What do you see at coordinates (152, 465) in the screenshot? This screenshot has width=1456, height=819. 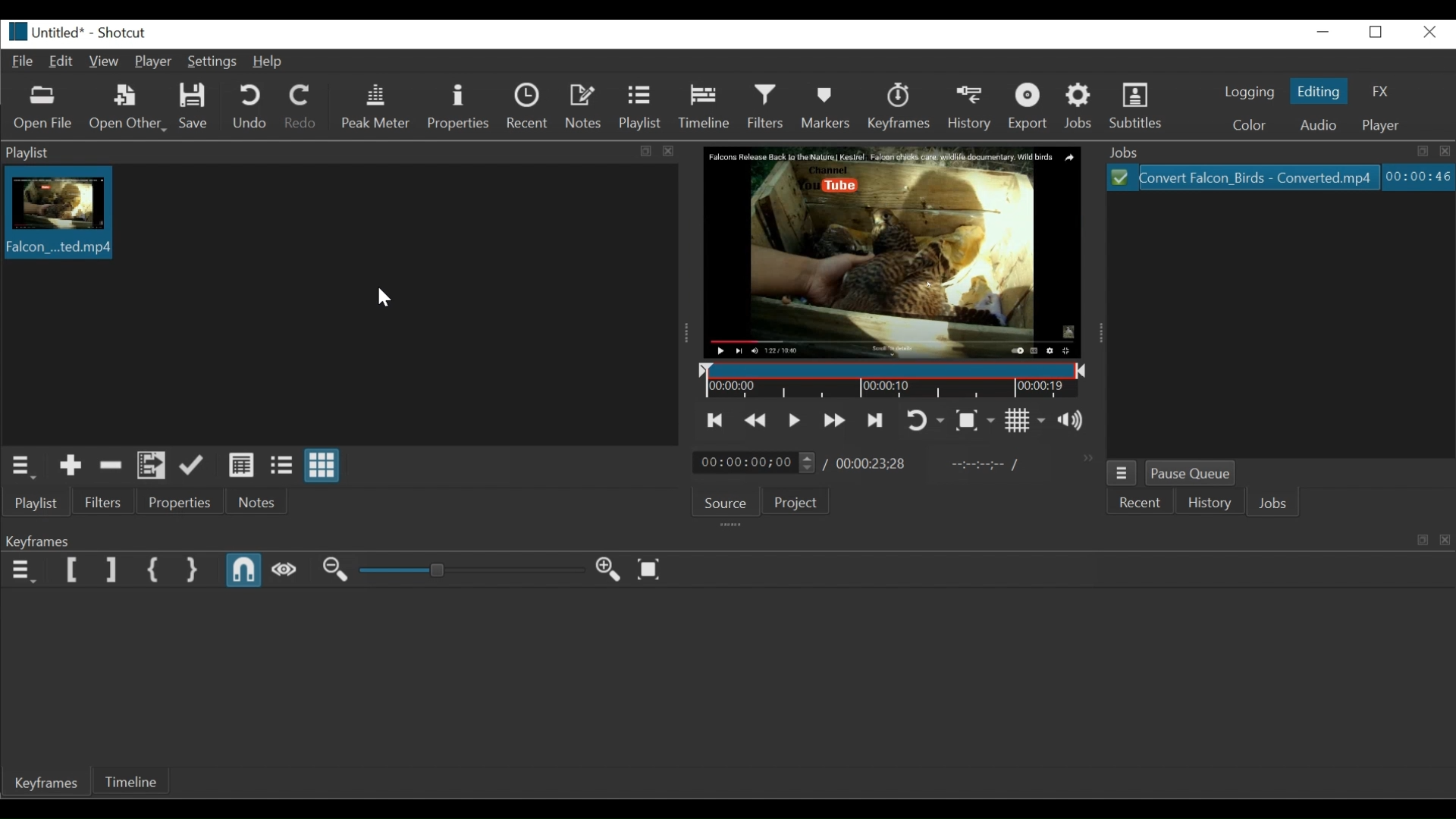 I see `Add files to playlist` at bounding box center [152, 465].